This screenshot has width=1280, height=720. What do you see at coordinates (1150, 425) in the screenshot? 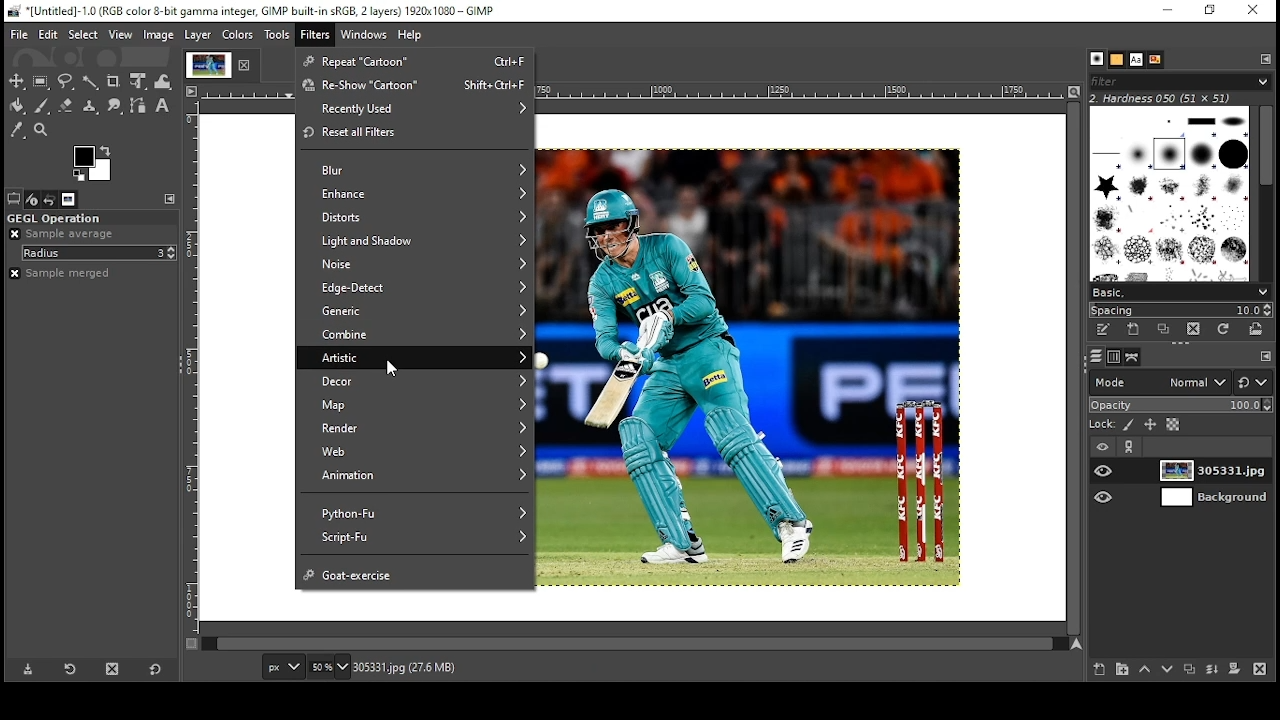
I see `lock position and size` at bounding box center [1150, 425].